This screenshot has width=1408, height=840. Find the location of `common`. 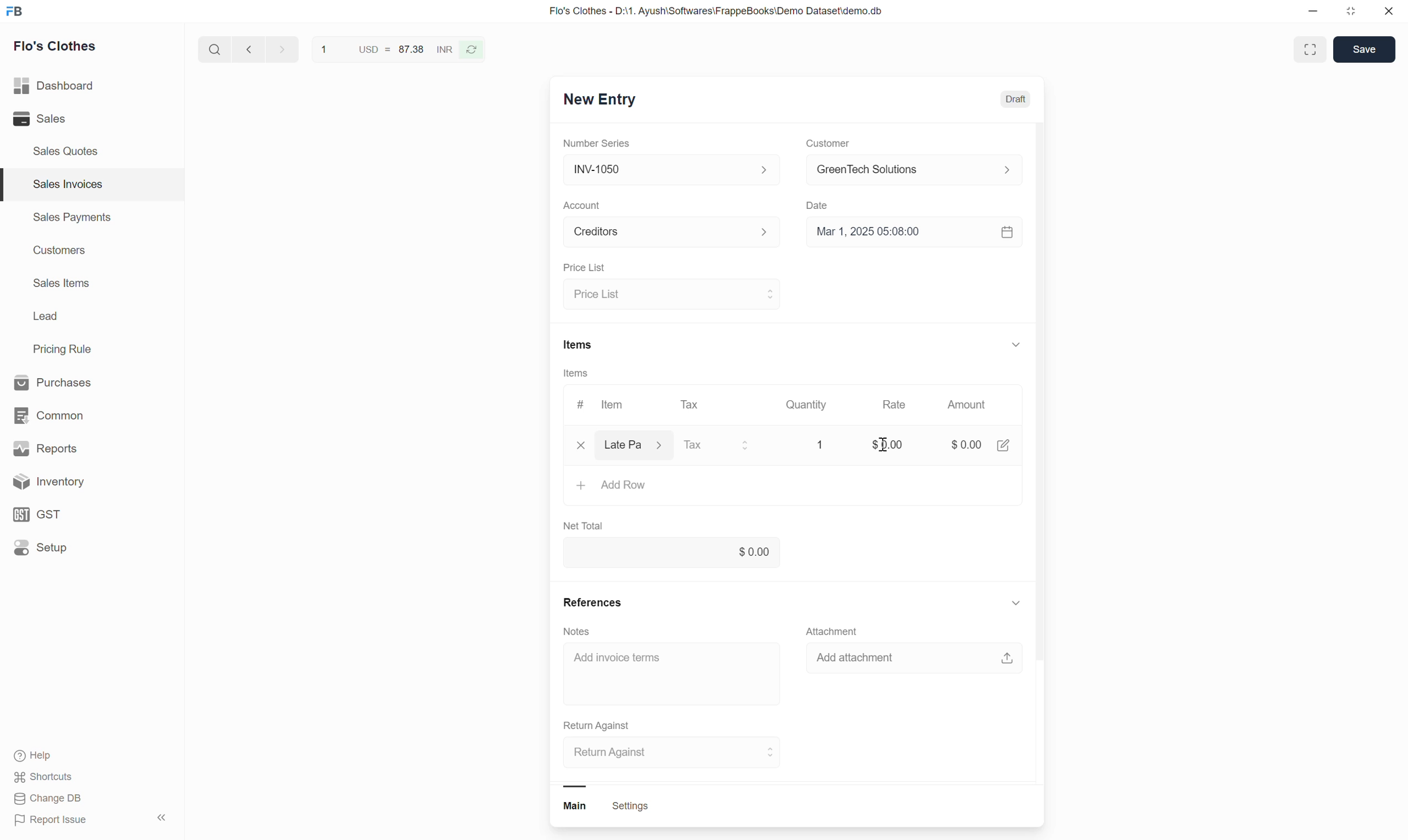

common is located at coordinates (74, 413).